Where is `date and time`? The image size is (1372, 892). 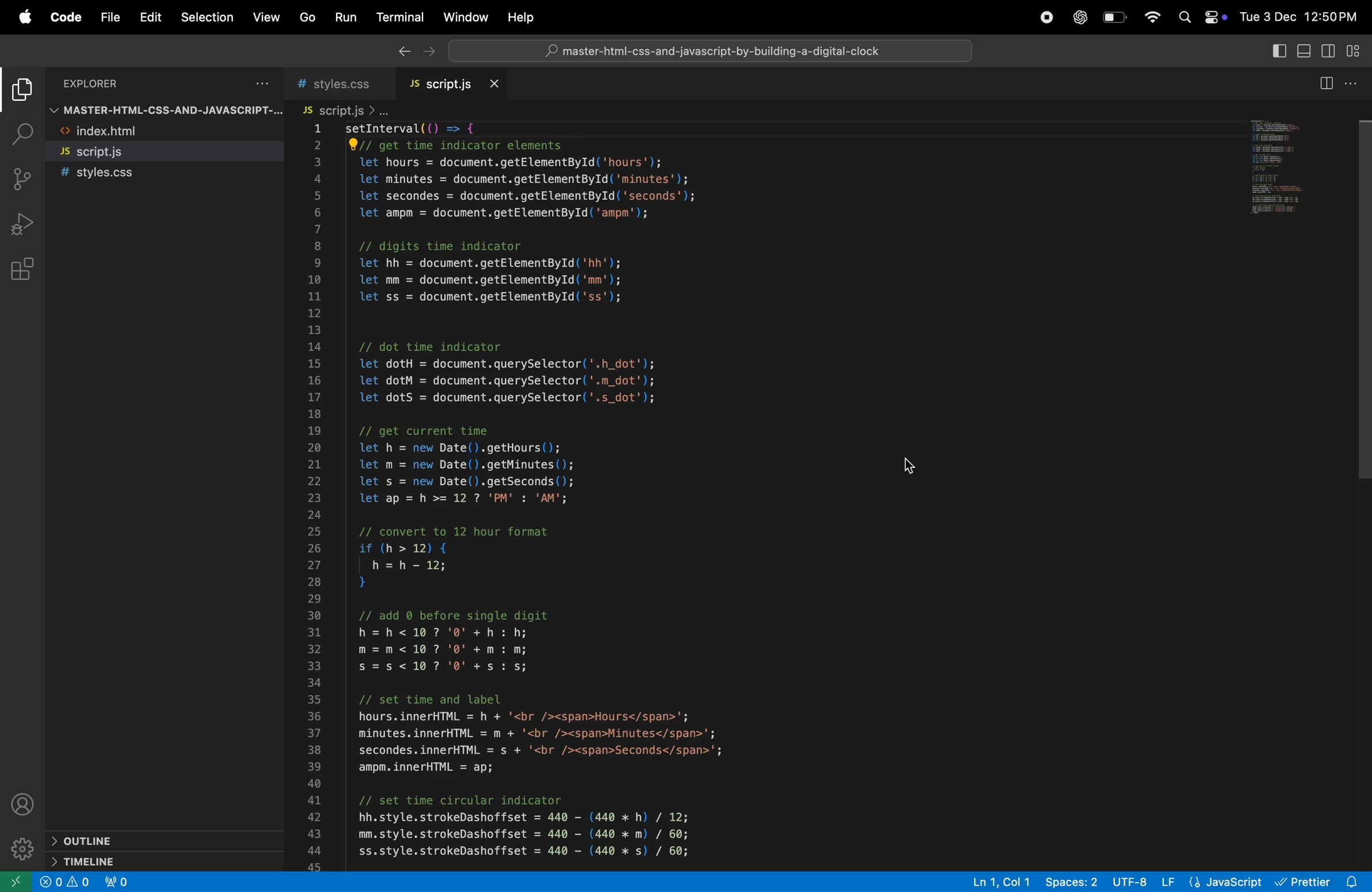 date and time is located at coordinates (1301, 19).